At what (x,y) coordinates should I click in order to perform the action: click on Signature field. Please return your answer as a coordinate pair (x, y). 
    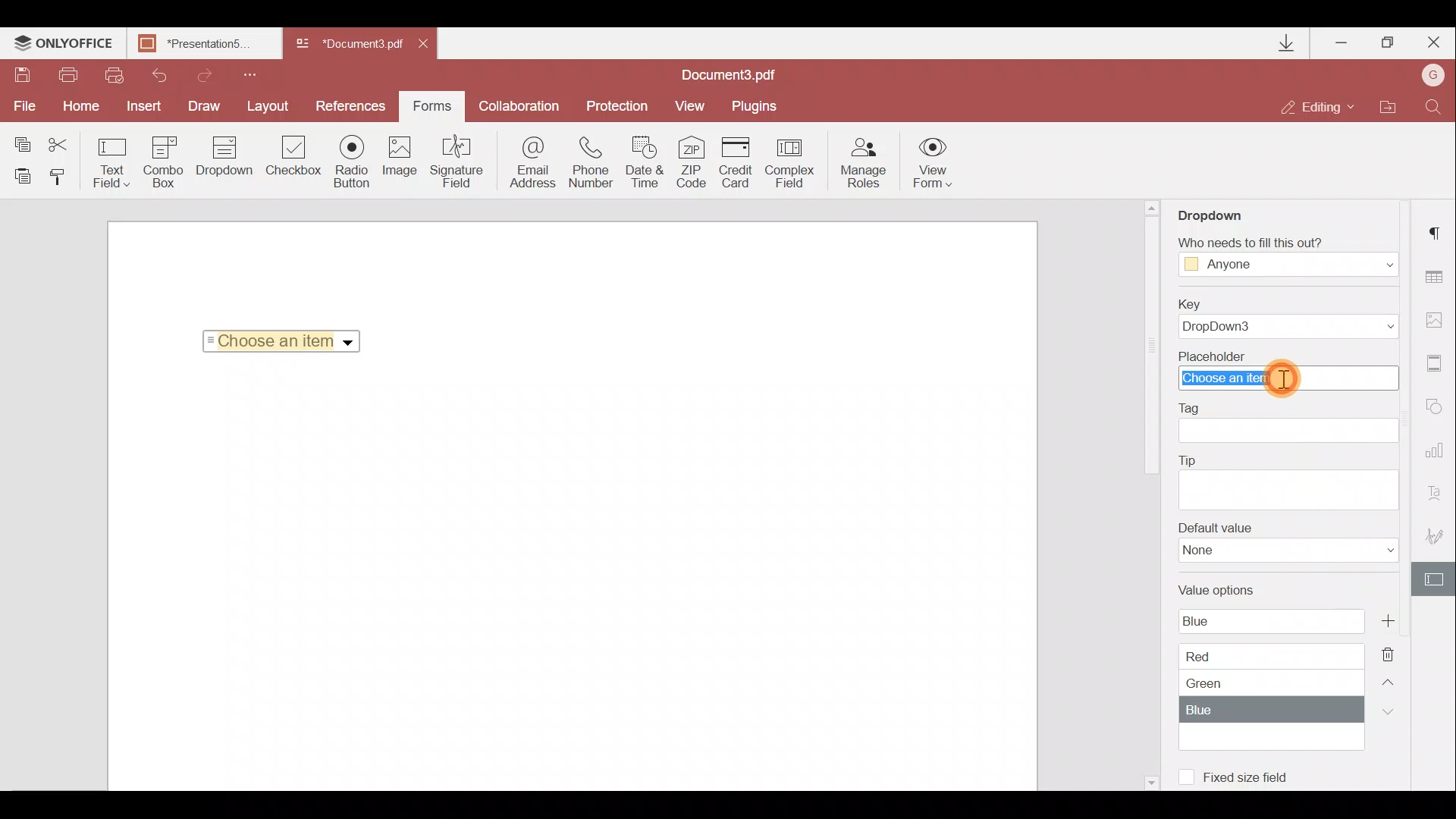
    Looking at the image, I should click on (459, 165).